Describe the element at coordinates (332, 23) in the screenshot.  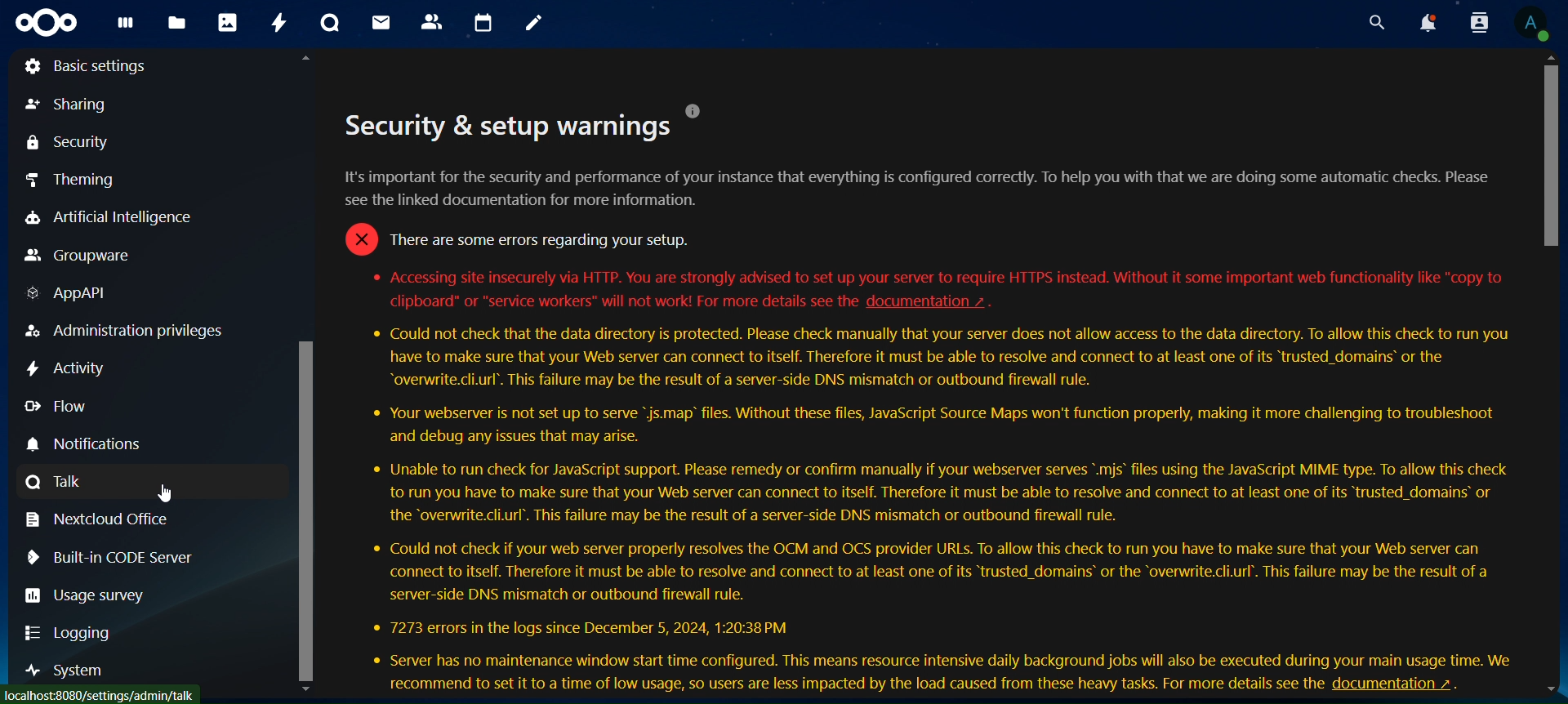
I see `talk` at that location.